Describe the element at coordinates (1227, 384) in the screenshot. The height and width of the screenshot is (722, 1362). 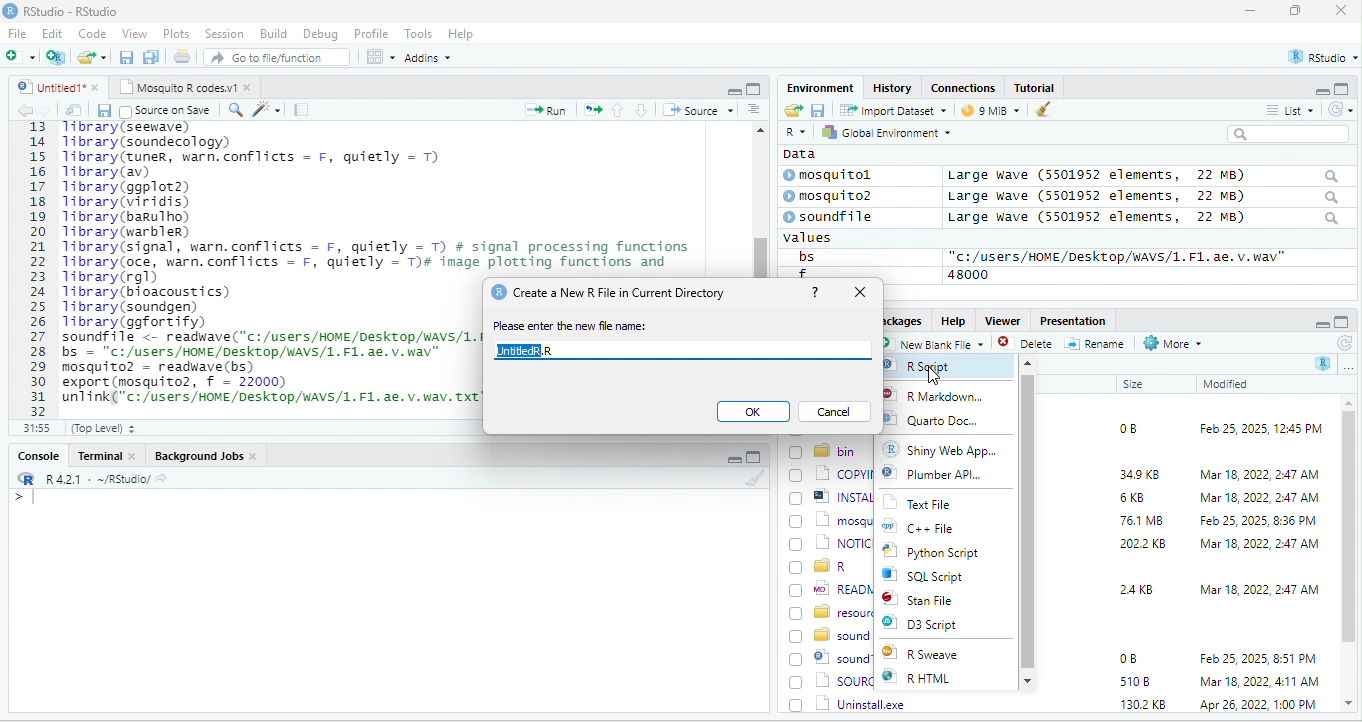
I see `Modified` at that location.